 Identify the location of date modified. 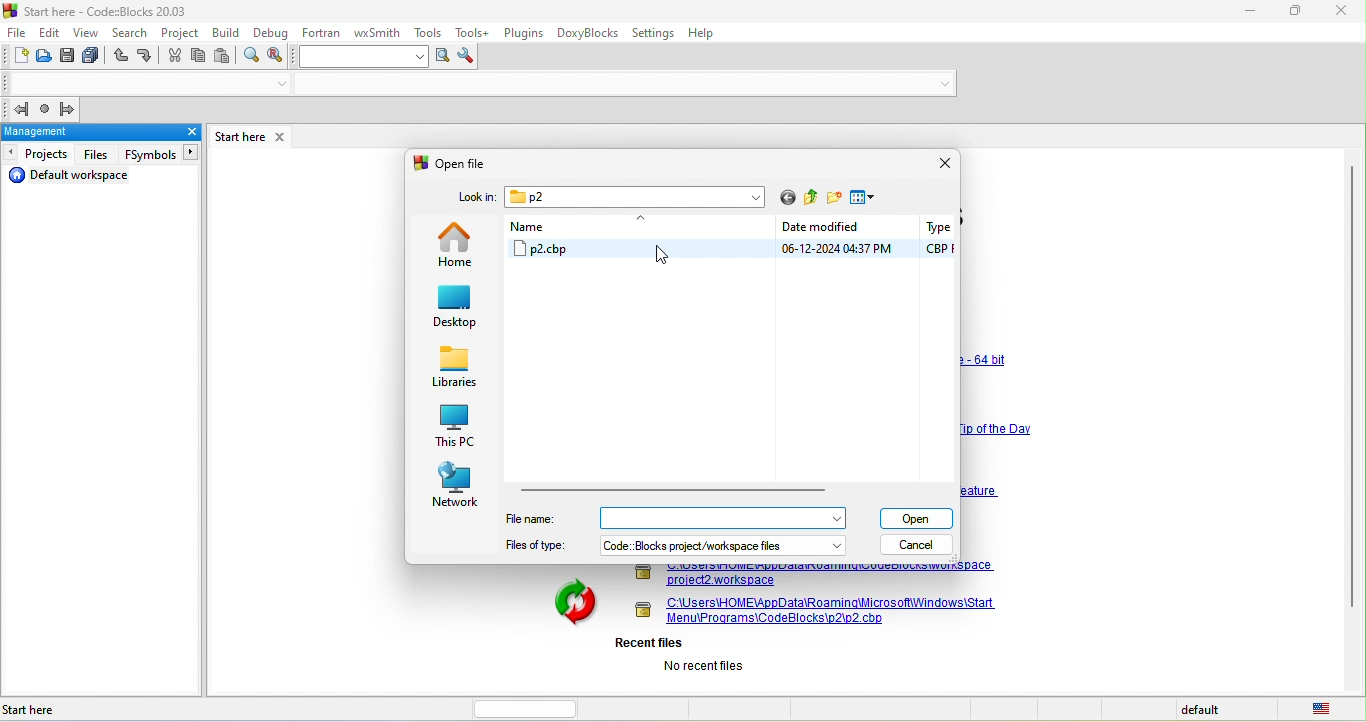
(840, 237).